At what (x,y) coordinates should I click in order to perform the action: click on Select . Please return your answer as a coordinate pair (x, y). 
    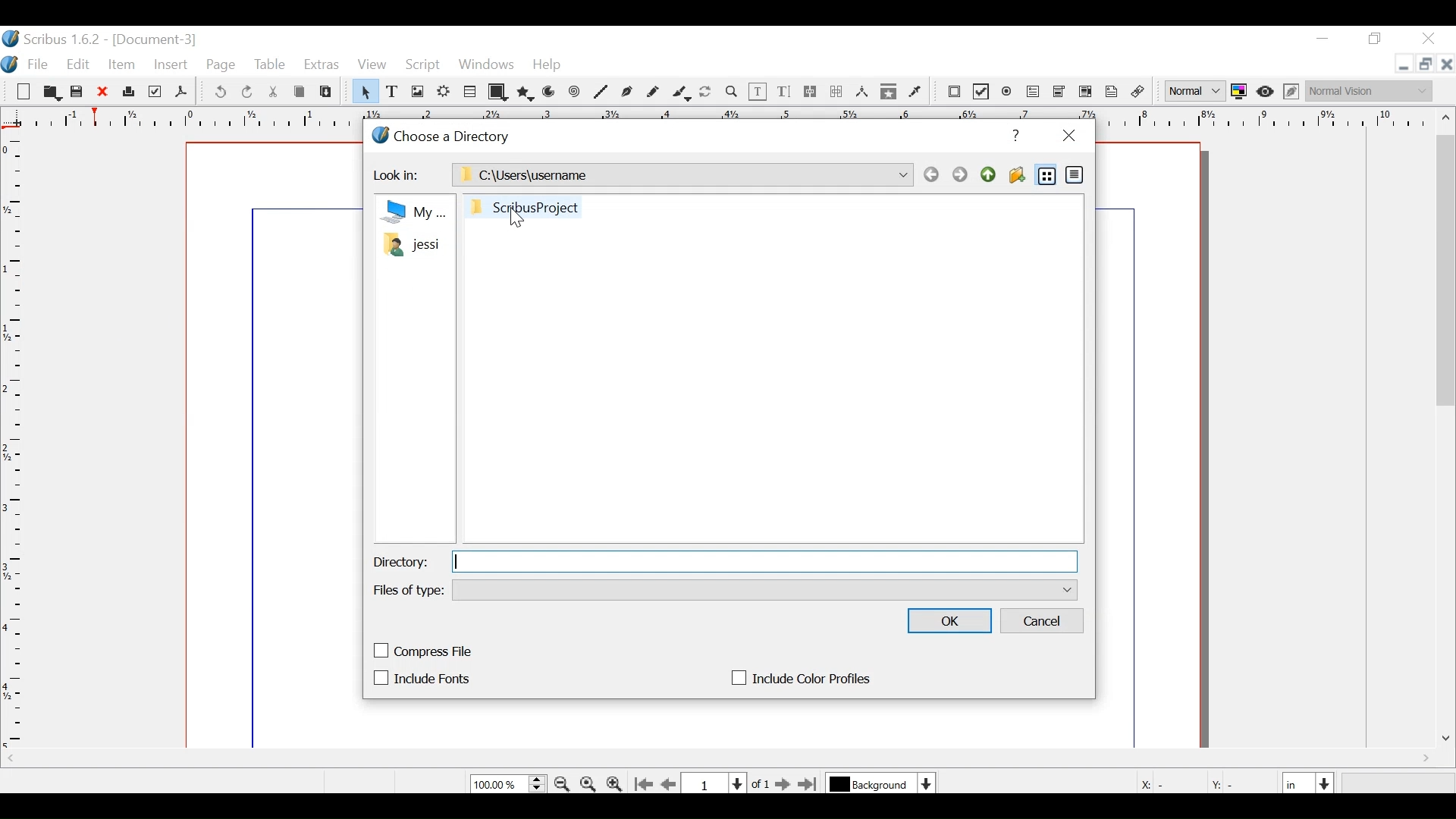
    Looking at the image, I should click on (363, 91).